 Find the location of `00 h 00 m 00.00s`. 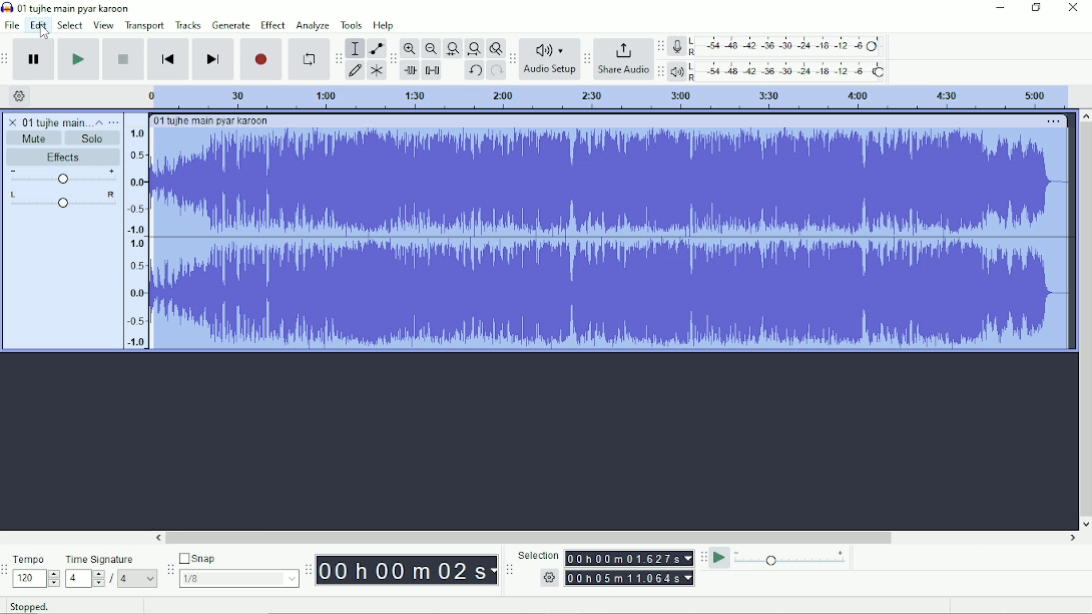

00 h 00 m 00.00s is located at coordinates (630, 558).